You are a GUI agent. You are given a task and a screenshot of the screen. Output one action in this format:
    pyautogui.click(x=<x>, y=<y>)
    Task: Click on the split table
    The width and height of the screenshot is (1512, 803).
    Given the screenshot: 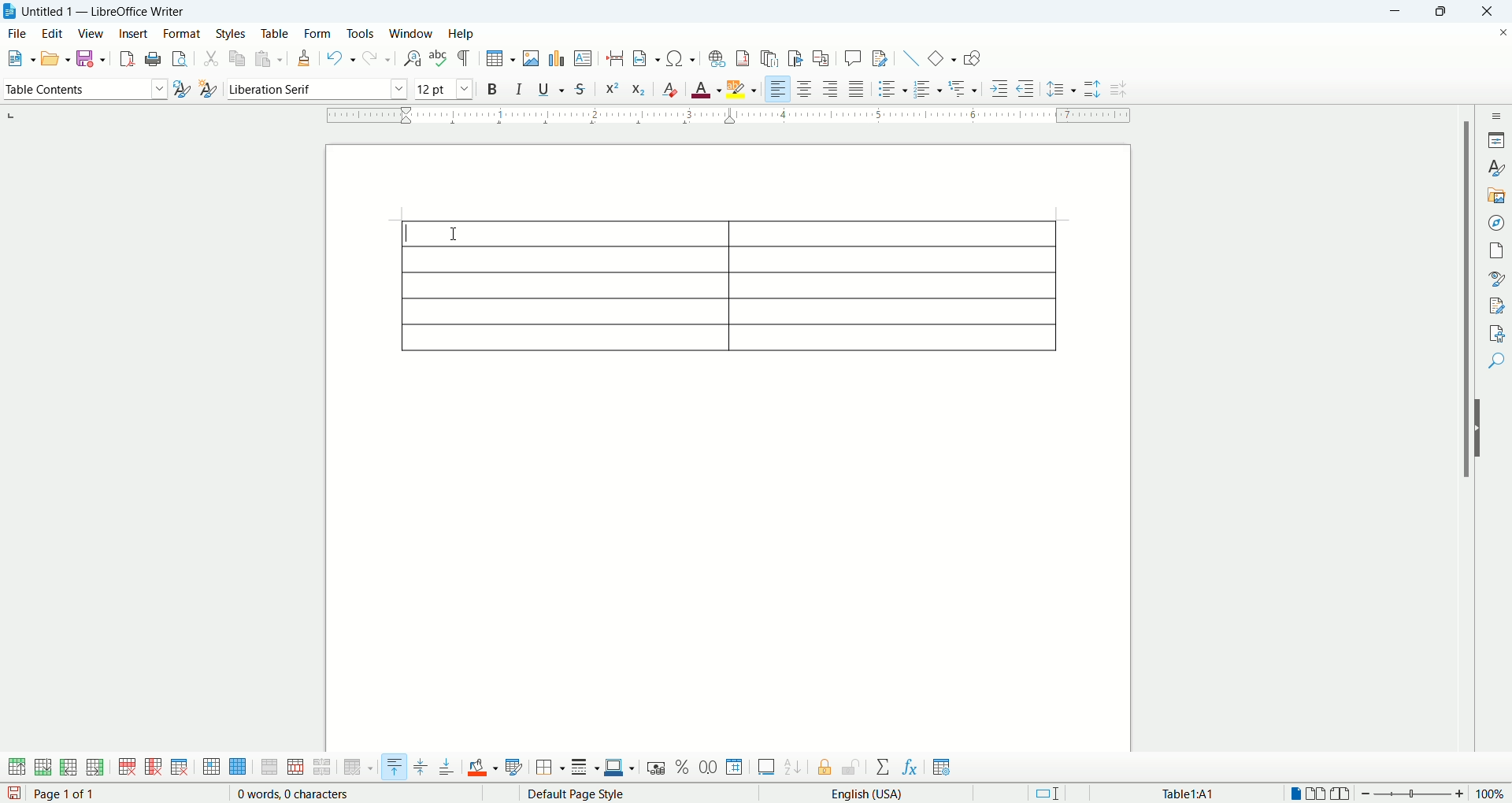 What is the action you would take?
    pyautogui.click(x=321, y=768)
    